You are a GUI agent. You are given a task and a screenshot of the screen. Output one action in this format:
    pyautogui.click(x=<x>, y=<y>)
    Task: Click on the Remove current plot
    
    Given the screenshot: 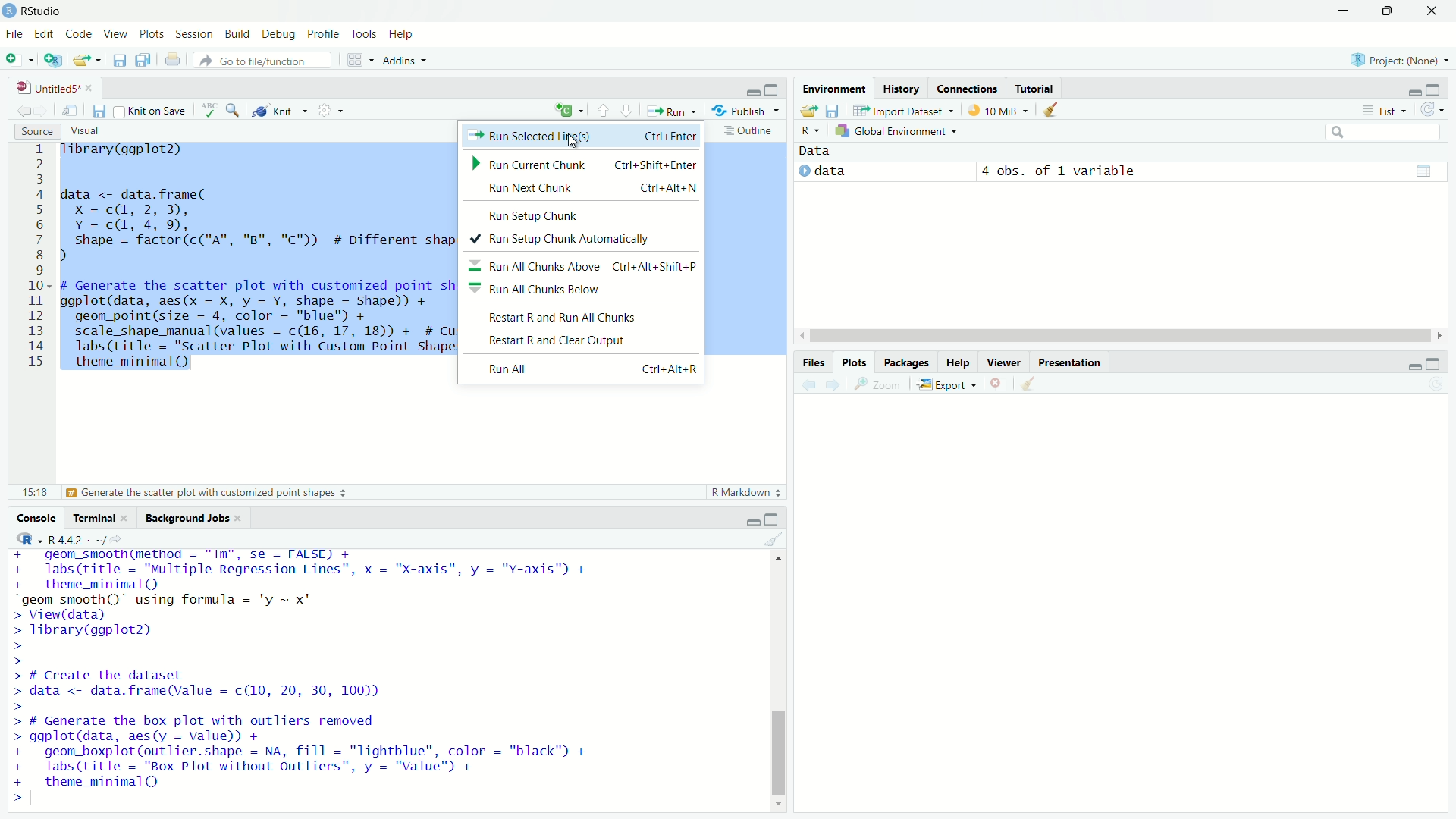 What is the action you would take?
    pyautogui.click(x=996, y=383)
    